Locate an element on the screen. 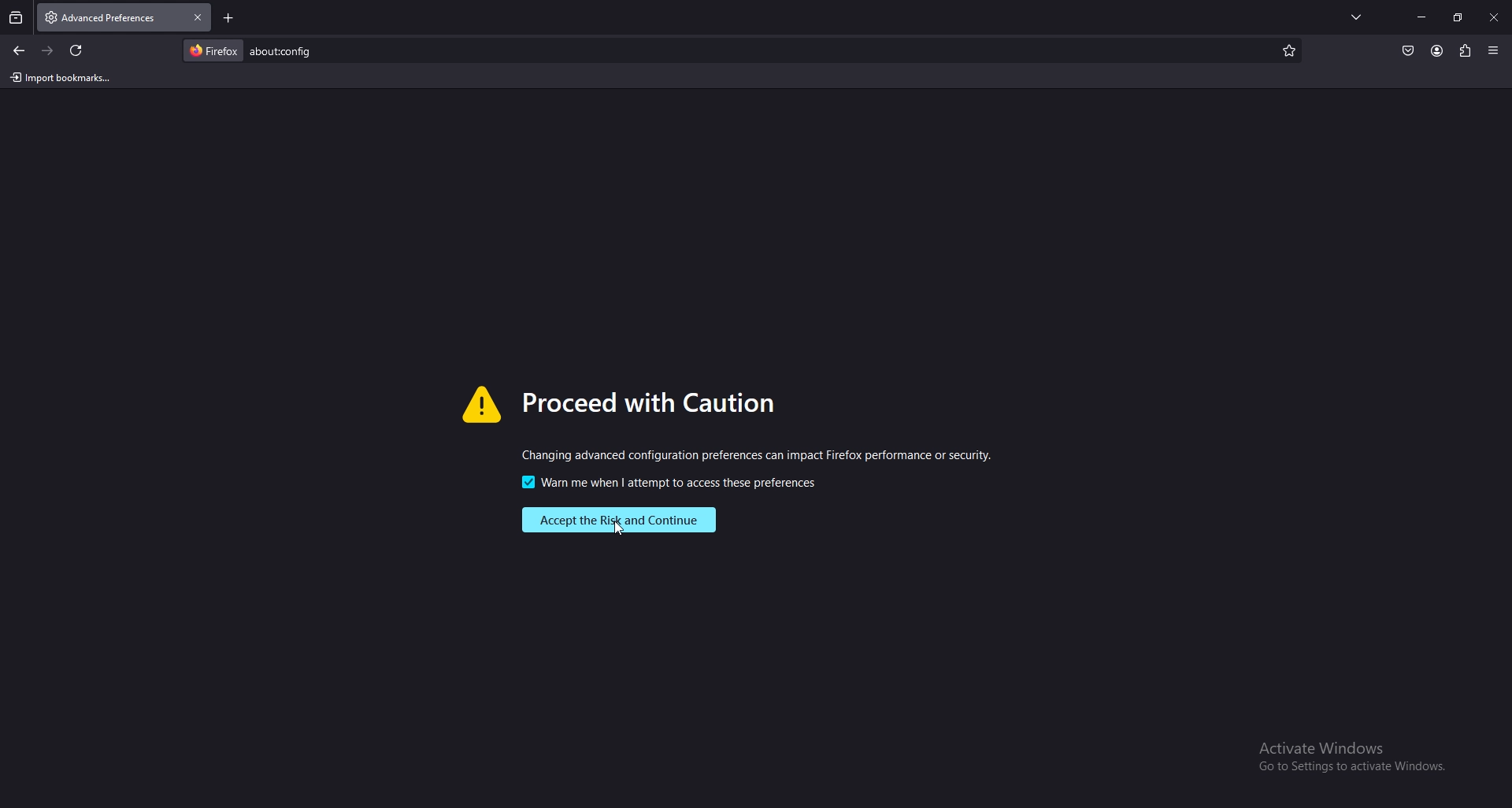 The width and height of the screenshot is (1512, 808). save to pocket is located at coordinates (1408, 51).